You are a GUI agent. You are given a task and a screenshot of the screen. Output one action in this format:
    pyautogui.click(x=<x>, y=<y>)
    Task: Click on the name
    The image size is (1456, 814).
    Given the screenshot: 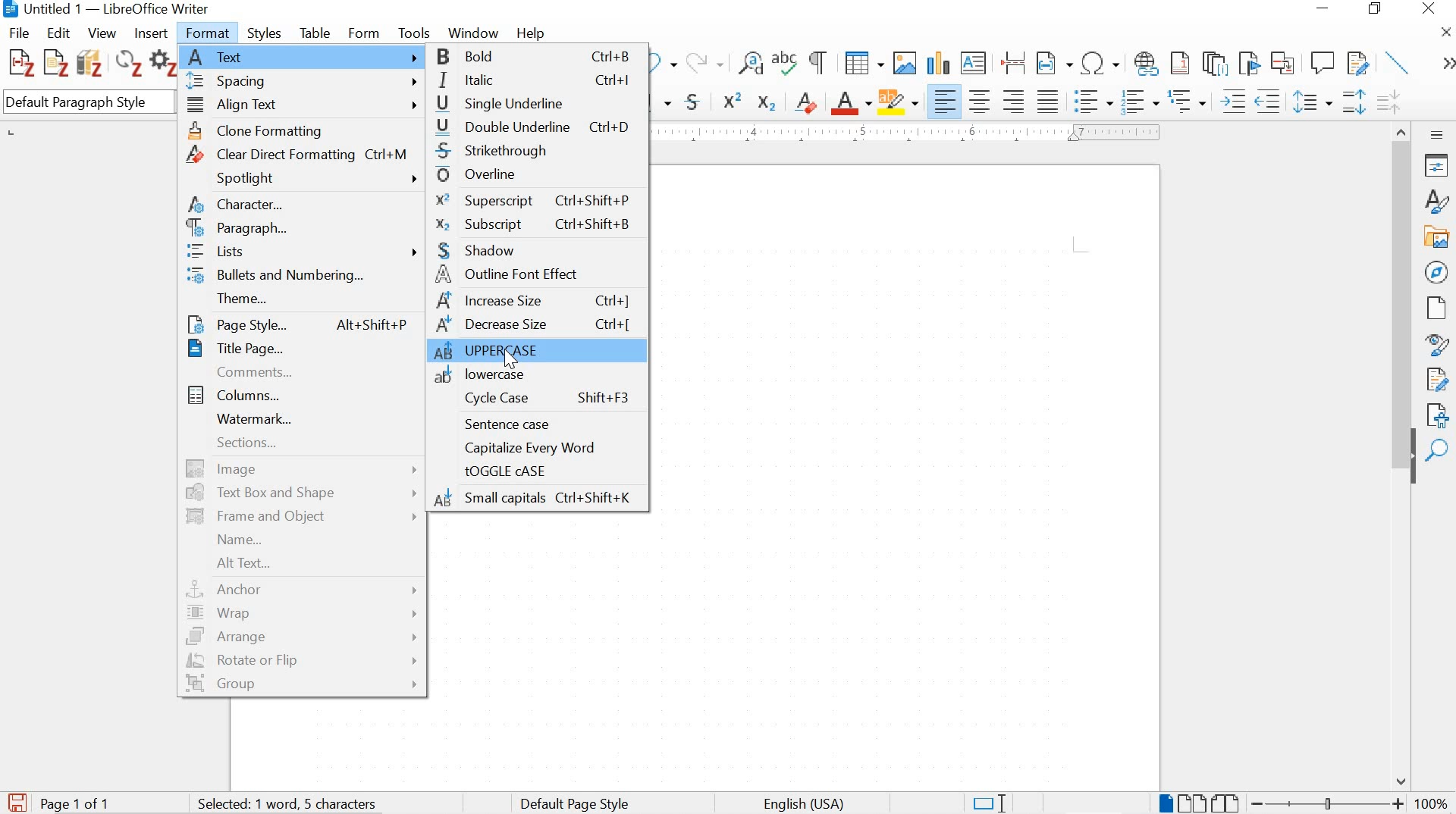 What is the action you would take?
    pyautogui.click(x=301, y=539)
    